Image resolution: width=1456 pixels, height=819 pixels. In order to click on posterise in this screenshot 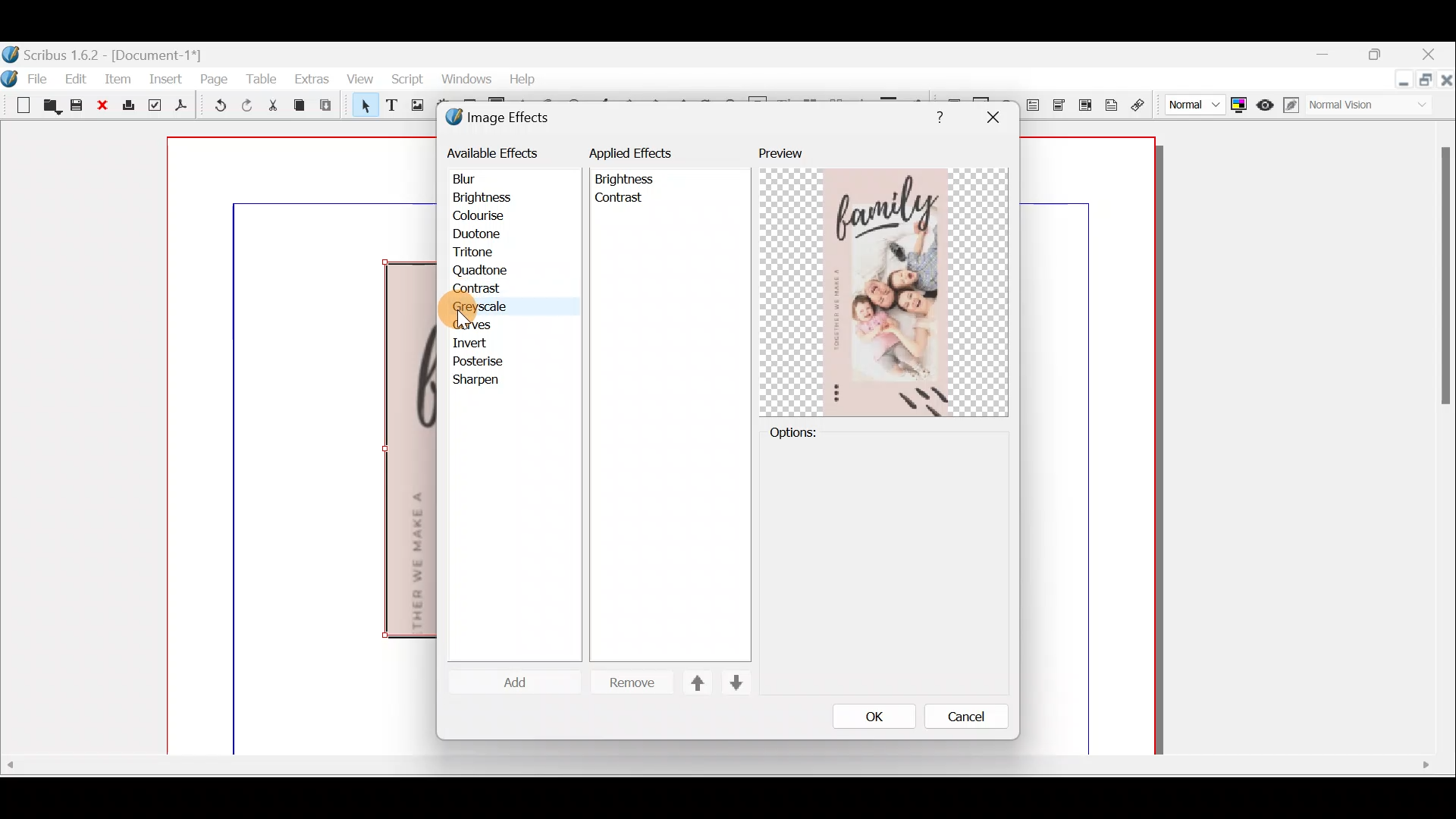, I will do `click(482, 362)`.